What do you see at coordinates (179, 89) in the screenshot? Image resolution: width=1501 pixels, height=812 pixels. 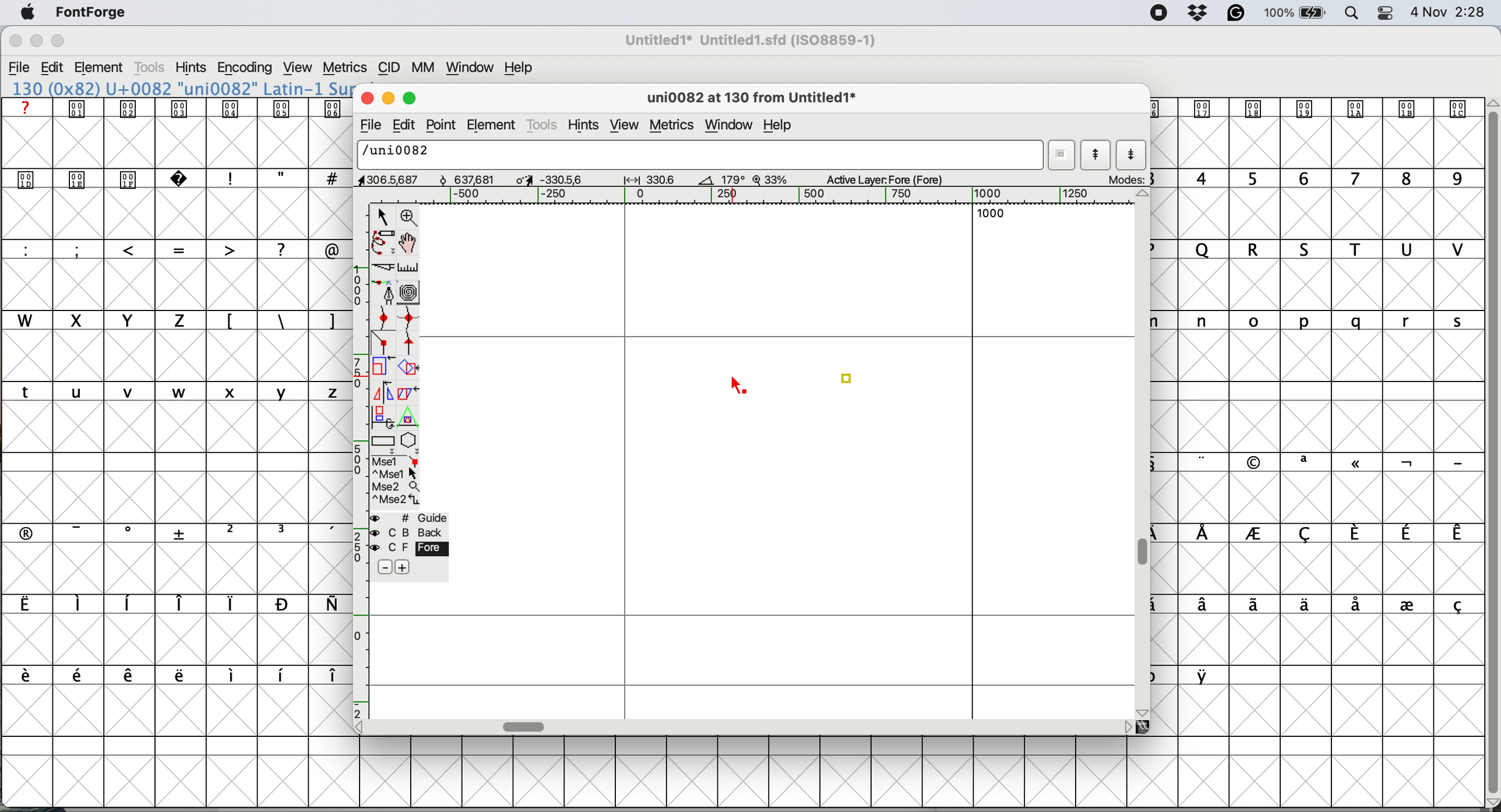 I see `font name` at bounding box center [179, 89].